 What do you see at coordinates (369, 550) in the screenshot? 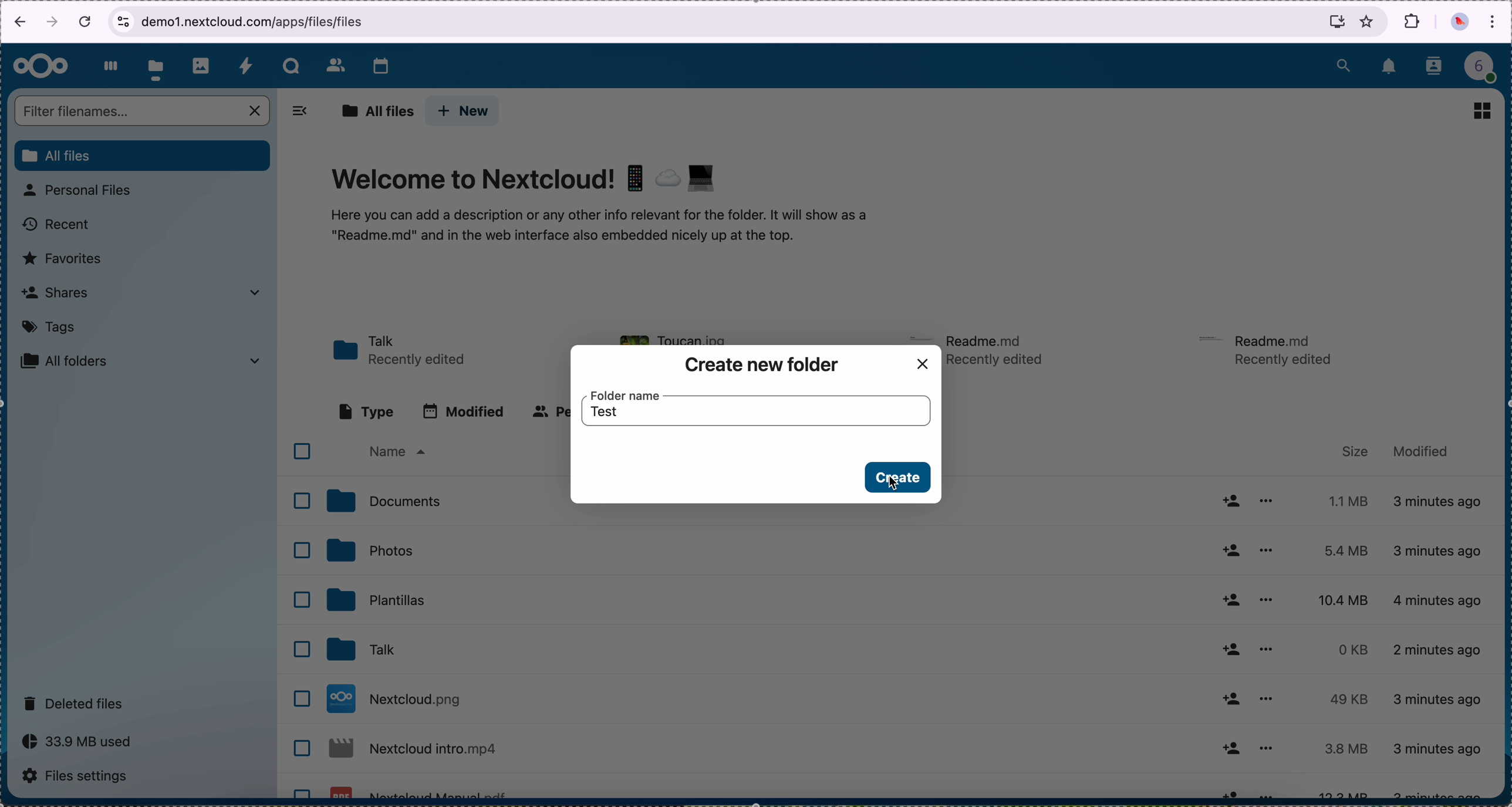
I see `photos` at bounding box center [369, 550].